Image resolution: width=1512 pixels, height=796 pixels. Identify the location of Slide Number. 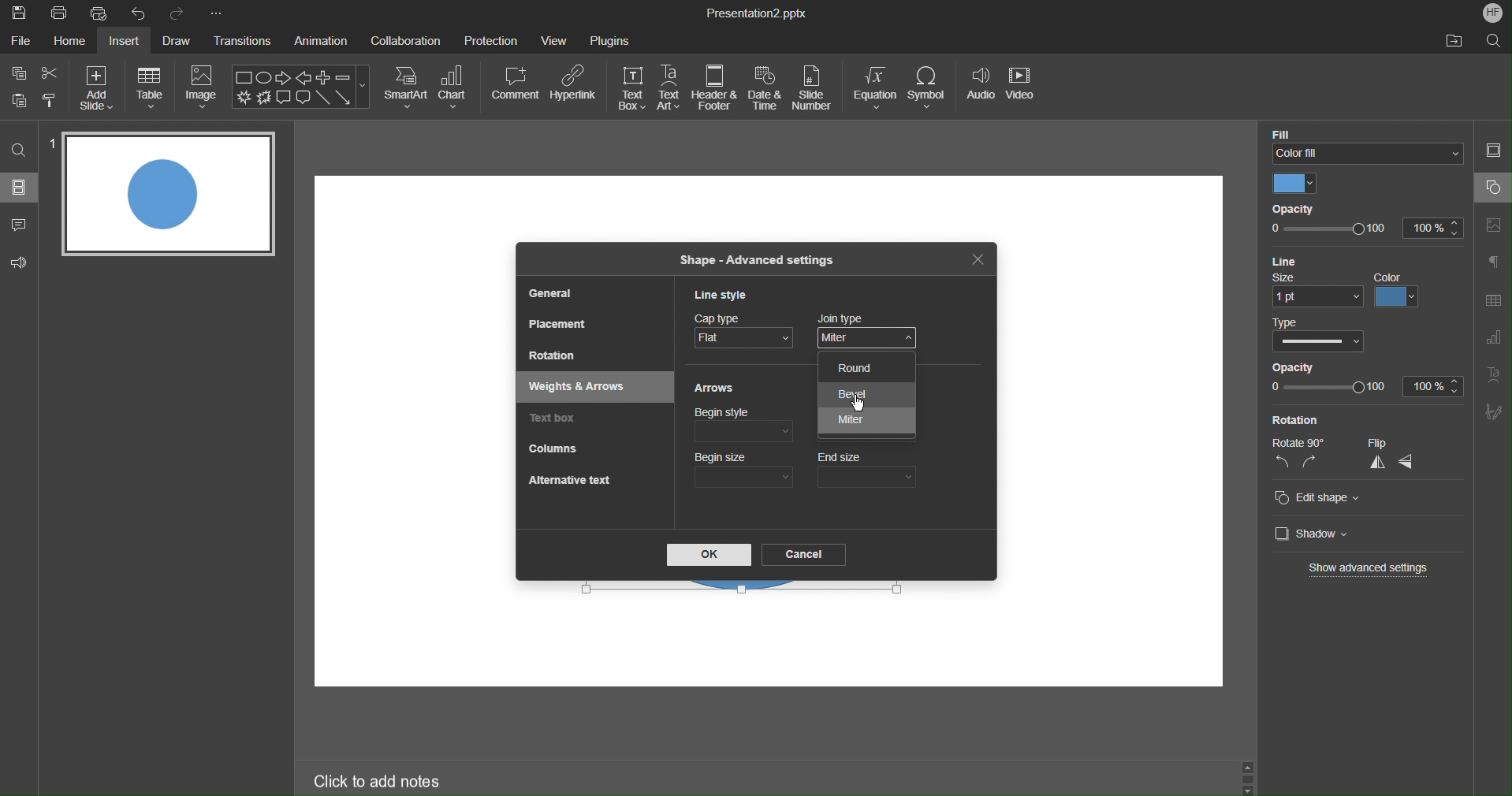
(815, 89).